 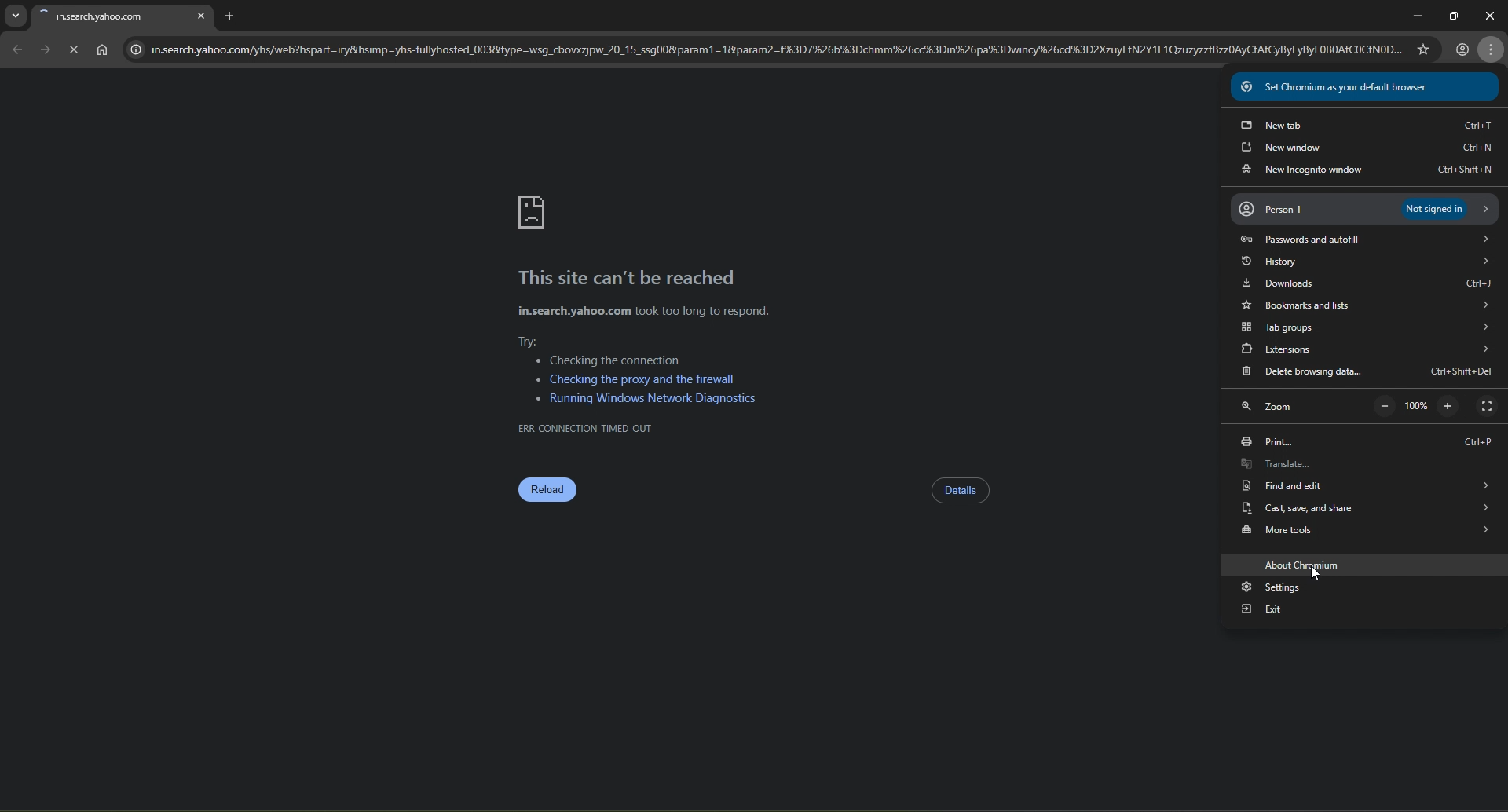 What do you see at coordinates (1367, 374) in the screenshot?
I see `delete browsing data` at bounding box center [1367, 374].